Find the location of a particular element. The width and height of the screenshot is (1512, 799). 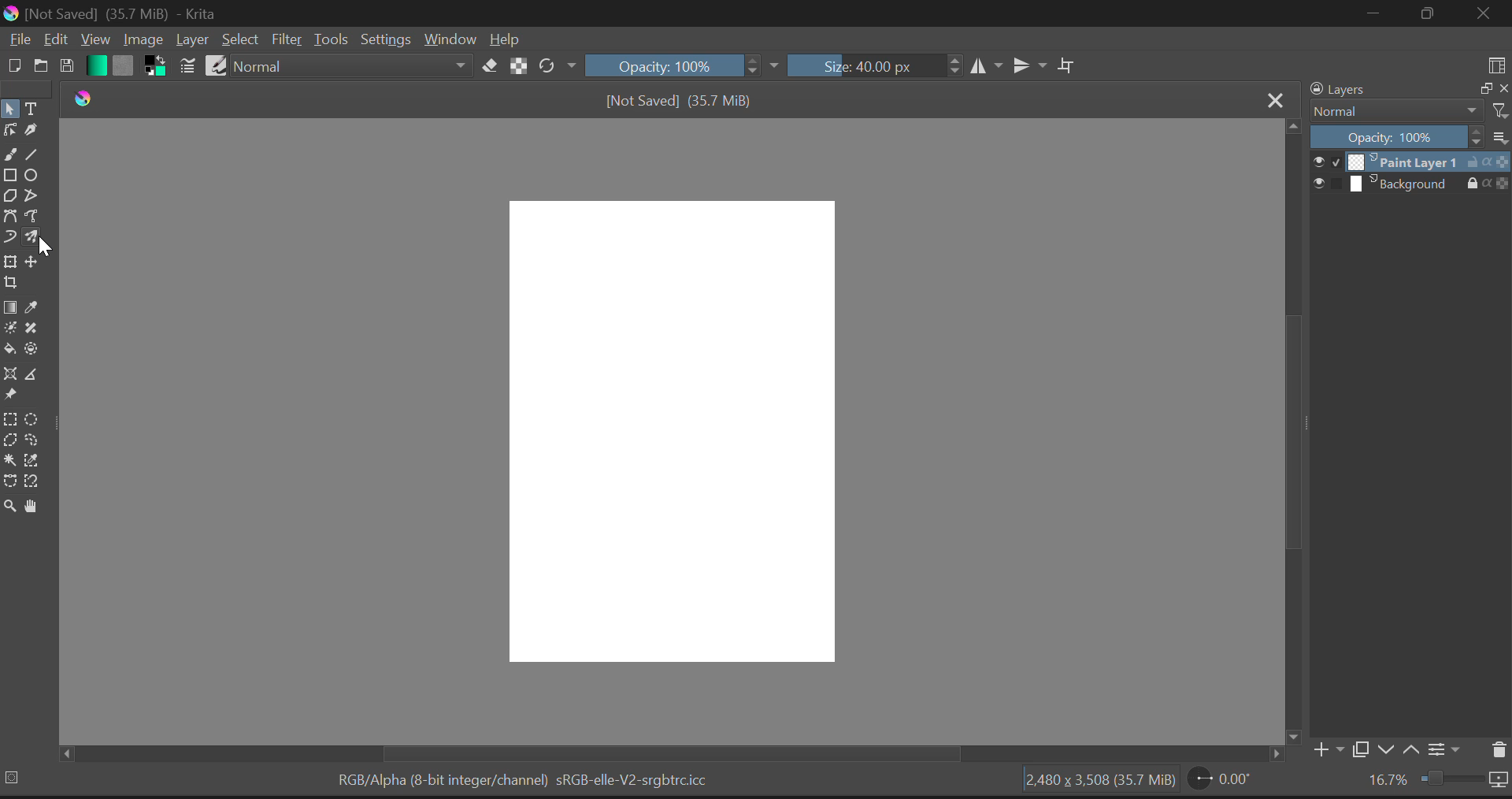

Save is located at coordinates (66, 67).